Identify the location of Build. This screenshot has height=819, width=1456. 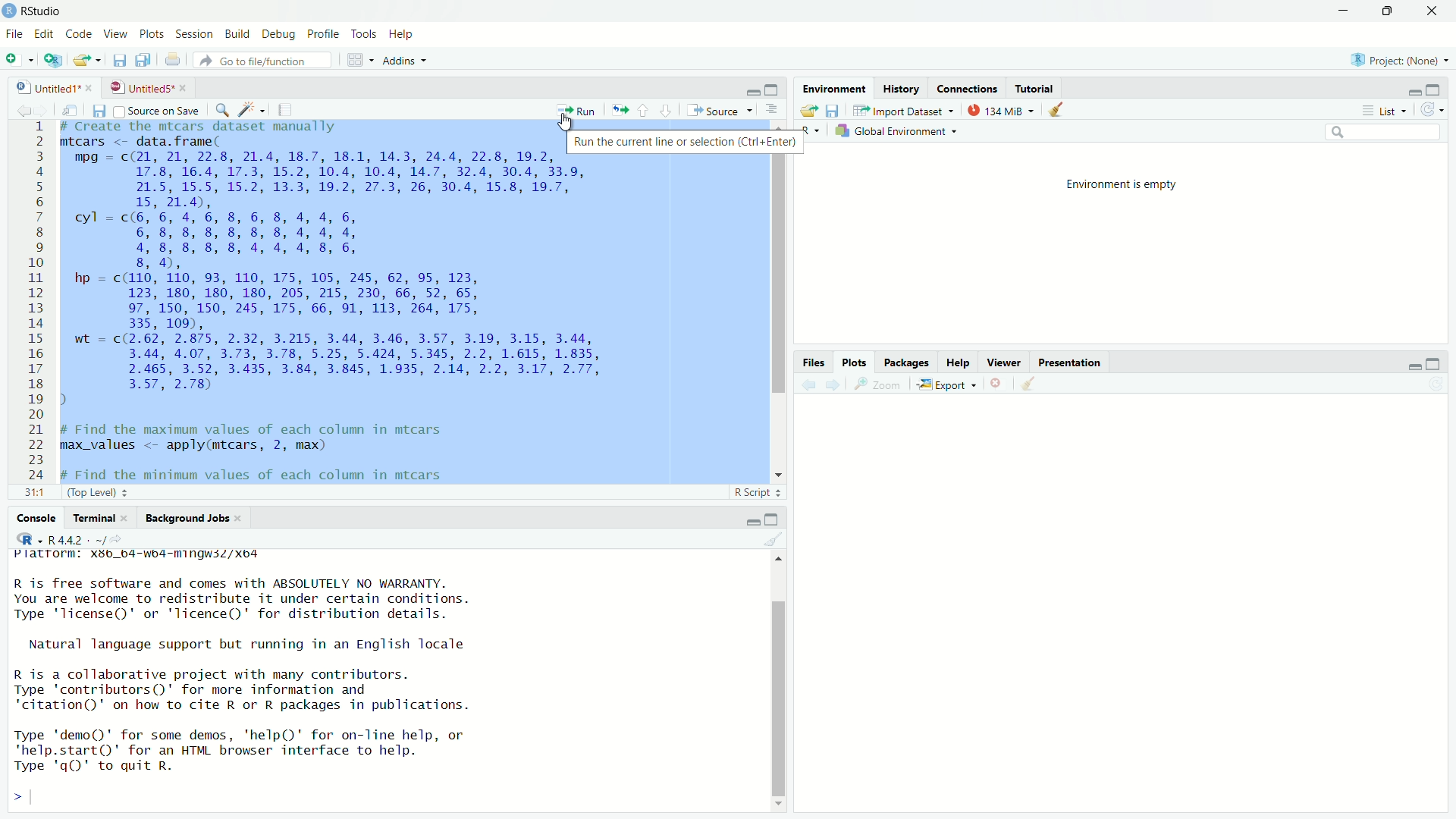
(237, 34).